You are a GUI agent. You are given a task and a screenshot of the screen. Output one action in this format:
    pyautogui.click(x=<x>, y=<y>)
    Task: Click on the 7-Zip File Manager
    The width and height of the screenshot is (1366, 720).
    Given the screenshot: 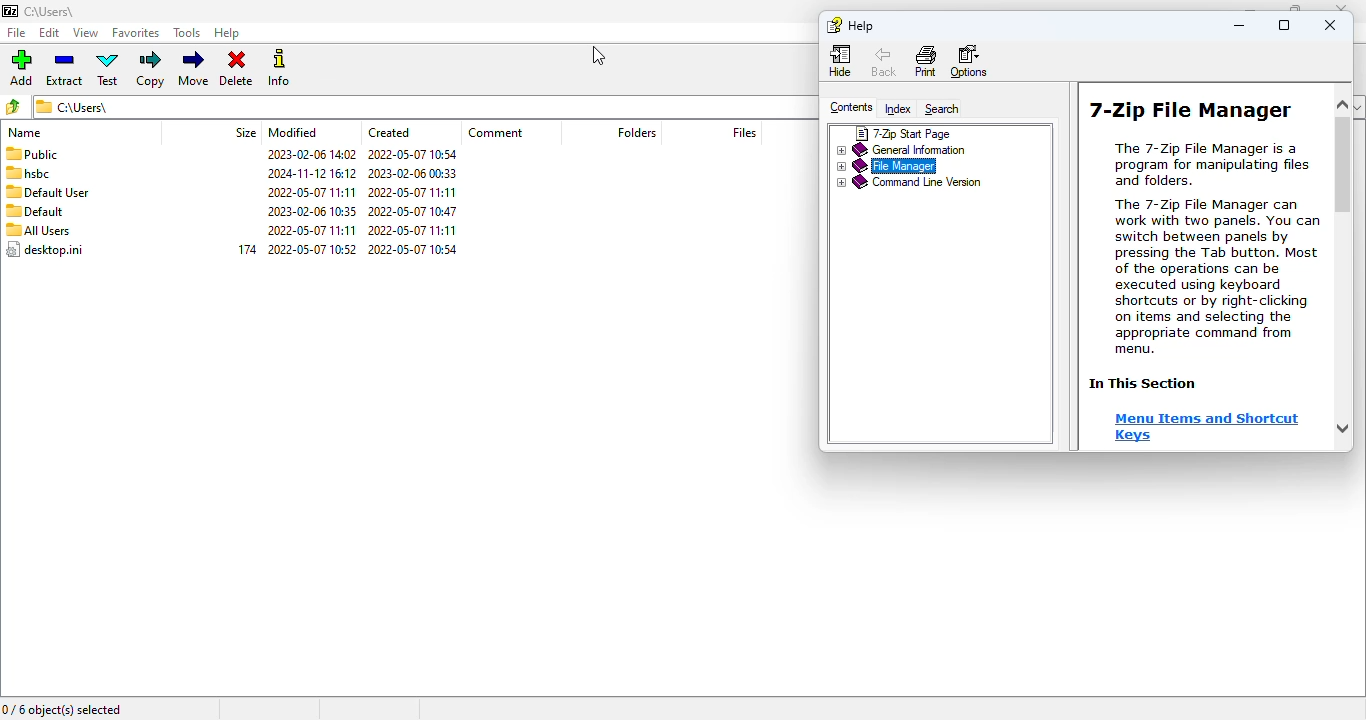 What is the action you would take?
    pyautogui.click(x=1191, y=109)
    